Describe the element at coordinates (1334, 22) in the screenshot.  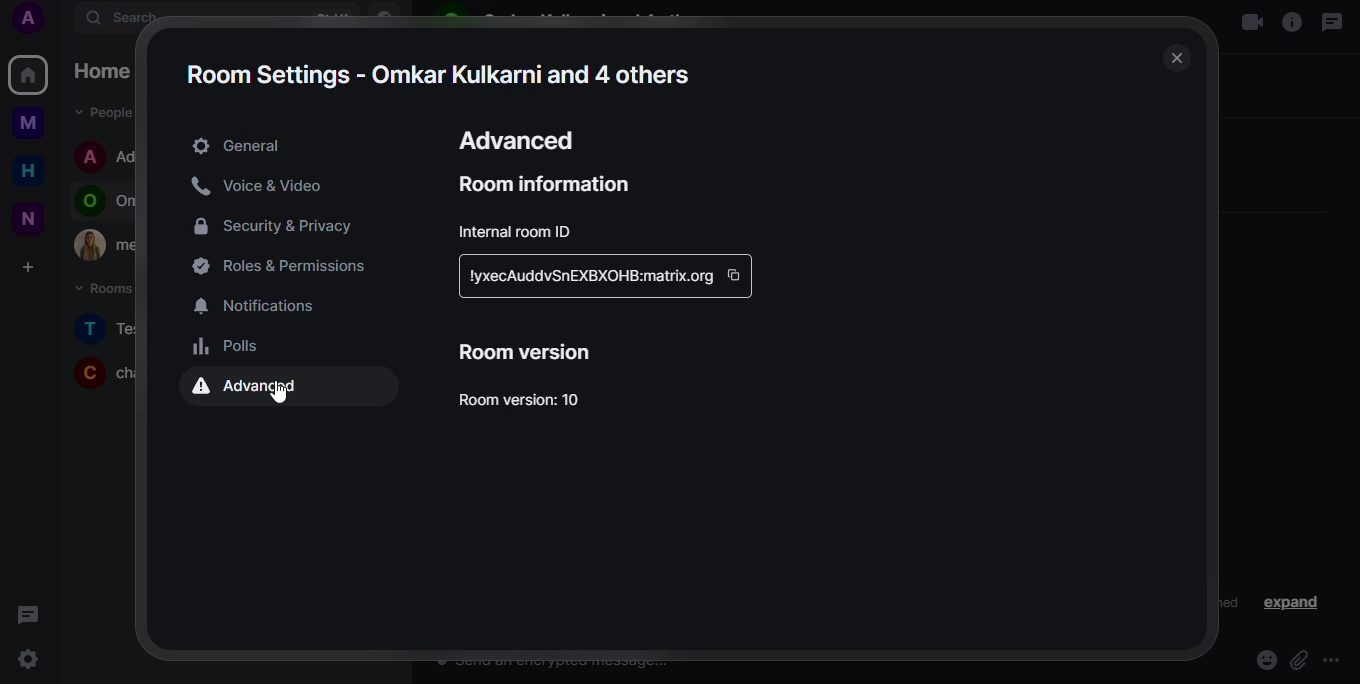
I see `message` at that location.